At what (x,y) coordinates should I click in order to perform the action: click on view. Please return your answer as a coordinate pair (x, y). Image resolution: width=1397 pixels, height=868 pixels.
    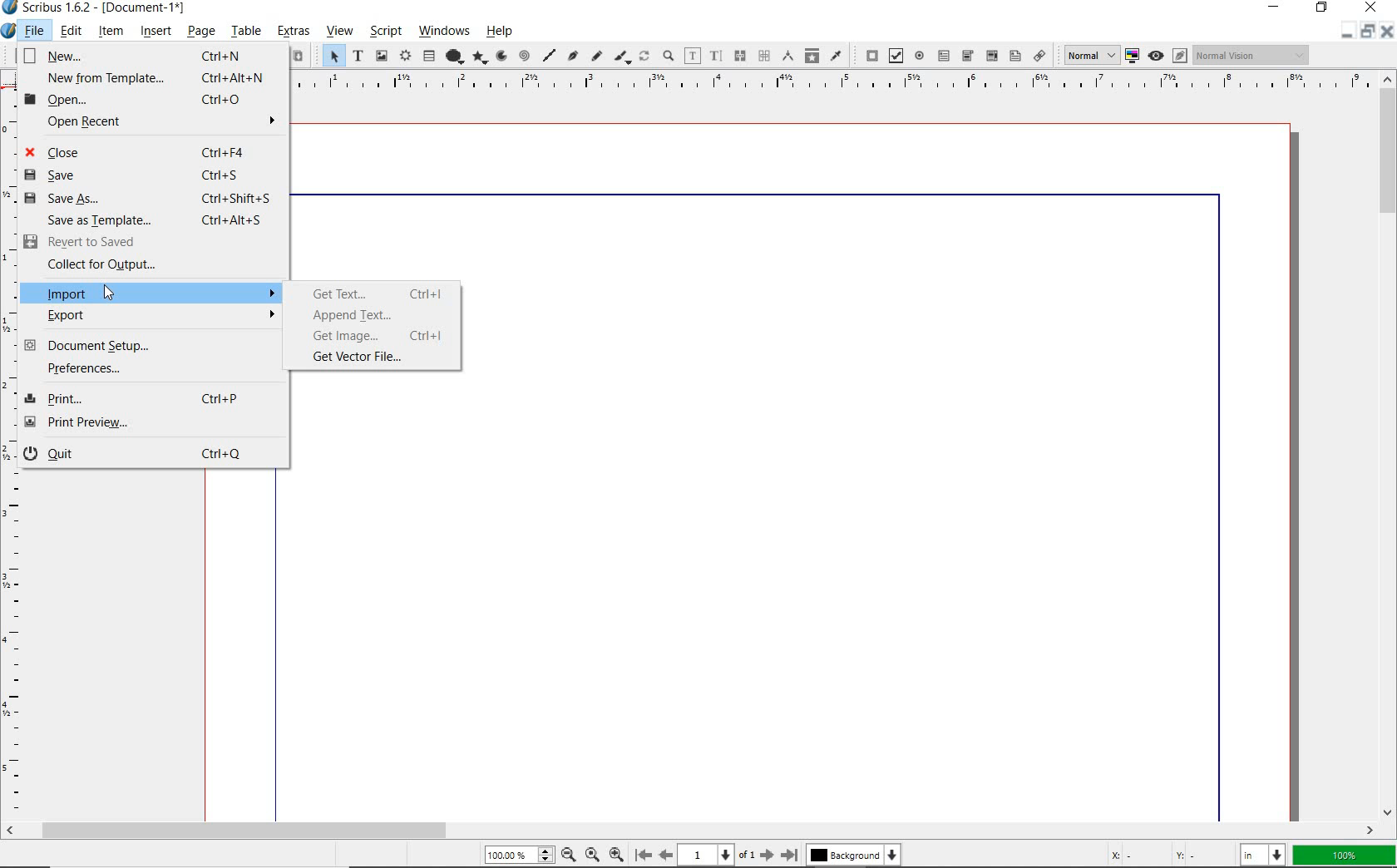
    Looking at the image, I should click on (338, 32).